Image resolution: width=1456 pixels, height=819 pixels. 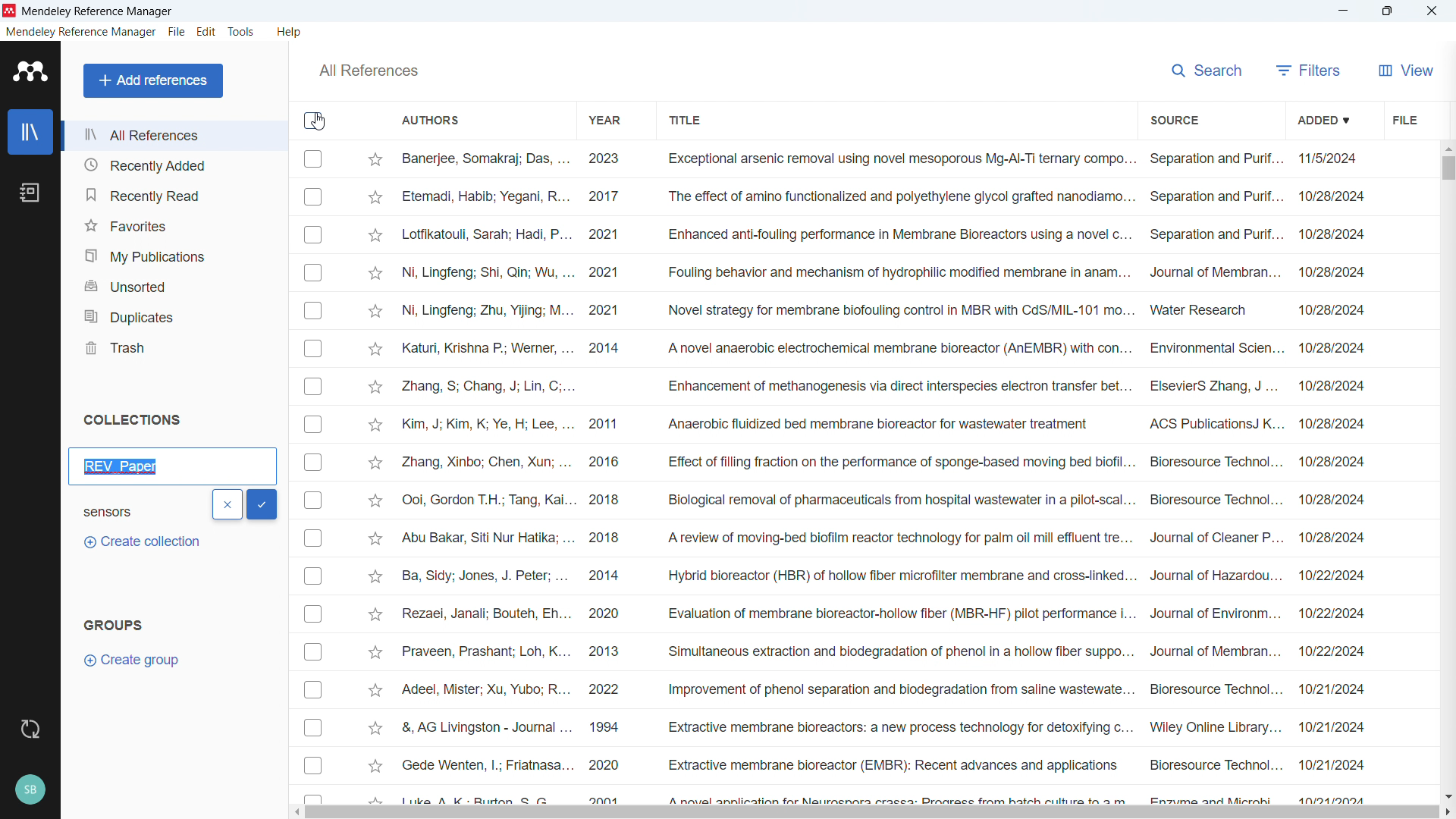 I want to click on Select respective publication, so click(x=313, y=614).